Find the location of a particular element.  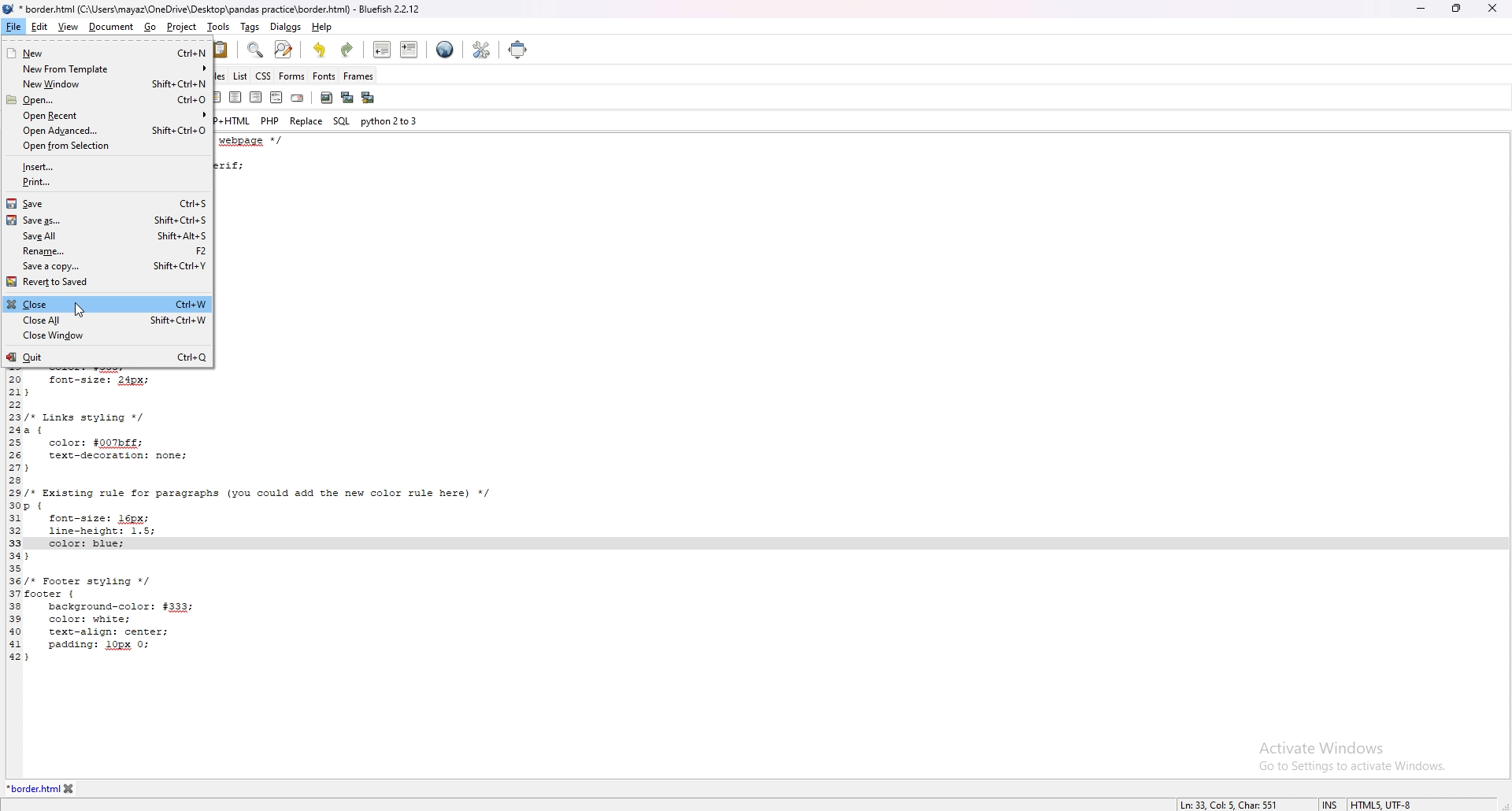

resize is located at coordinates (1456, 9).